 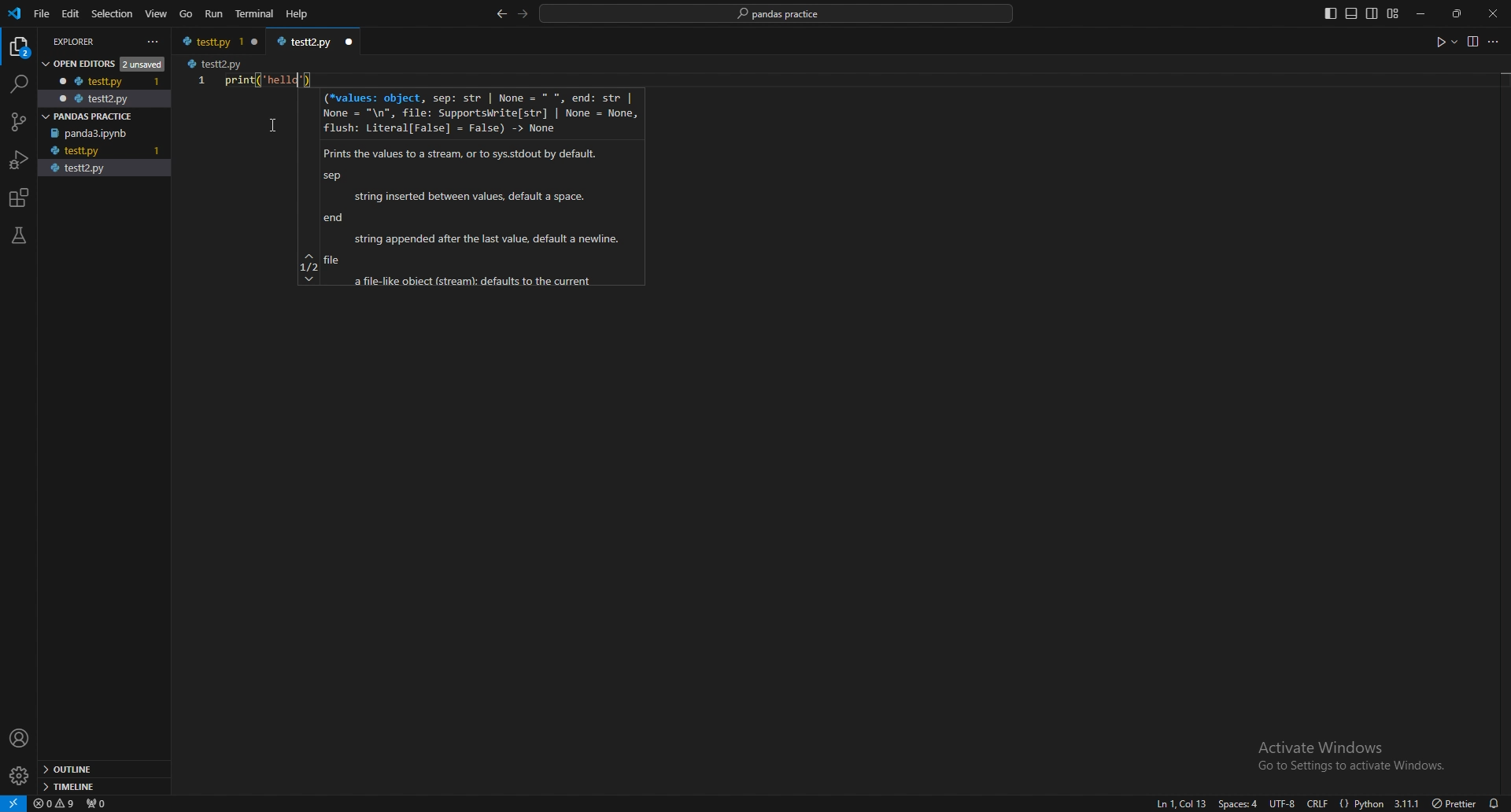 I want to click on testt2.py, so click(x=305, y=39).